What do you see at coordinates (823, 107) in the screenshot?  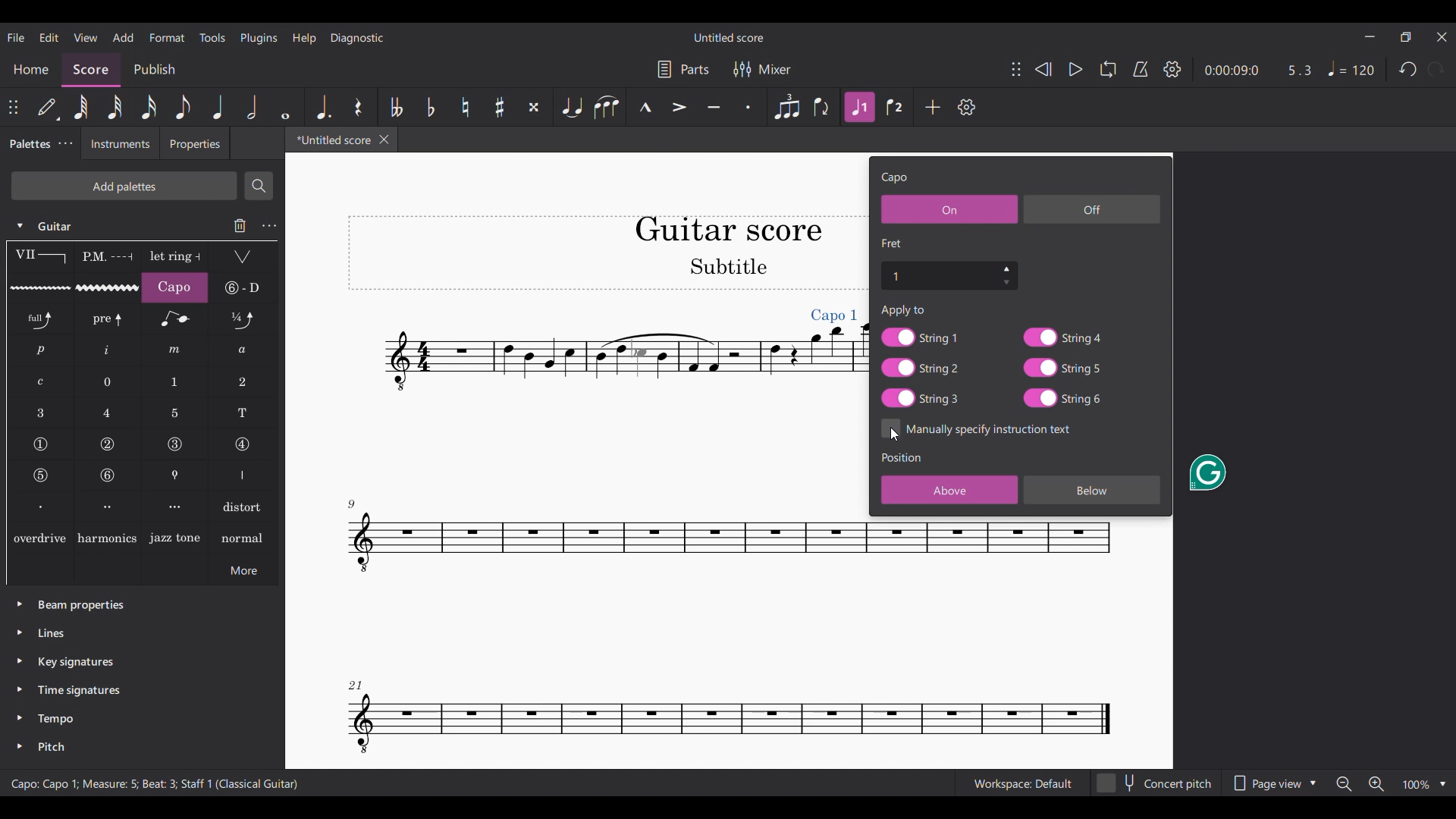 I see `Flip direction` at bounding box center [823, 107].